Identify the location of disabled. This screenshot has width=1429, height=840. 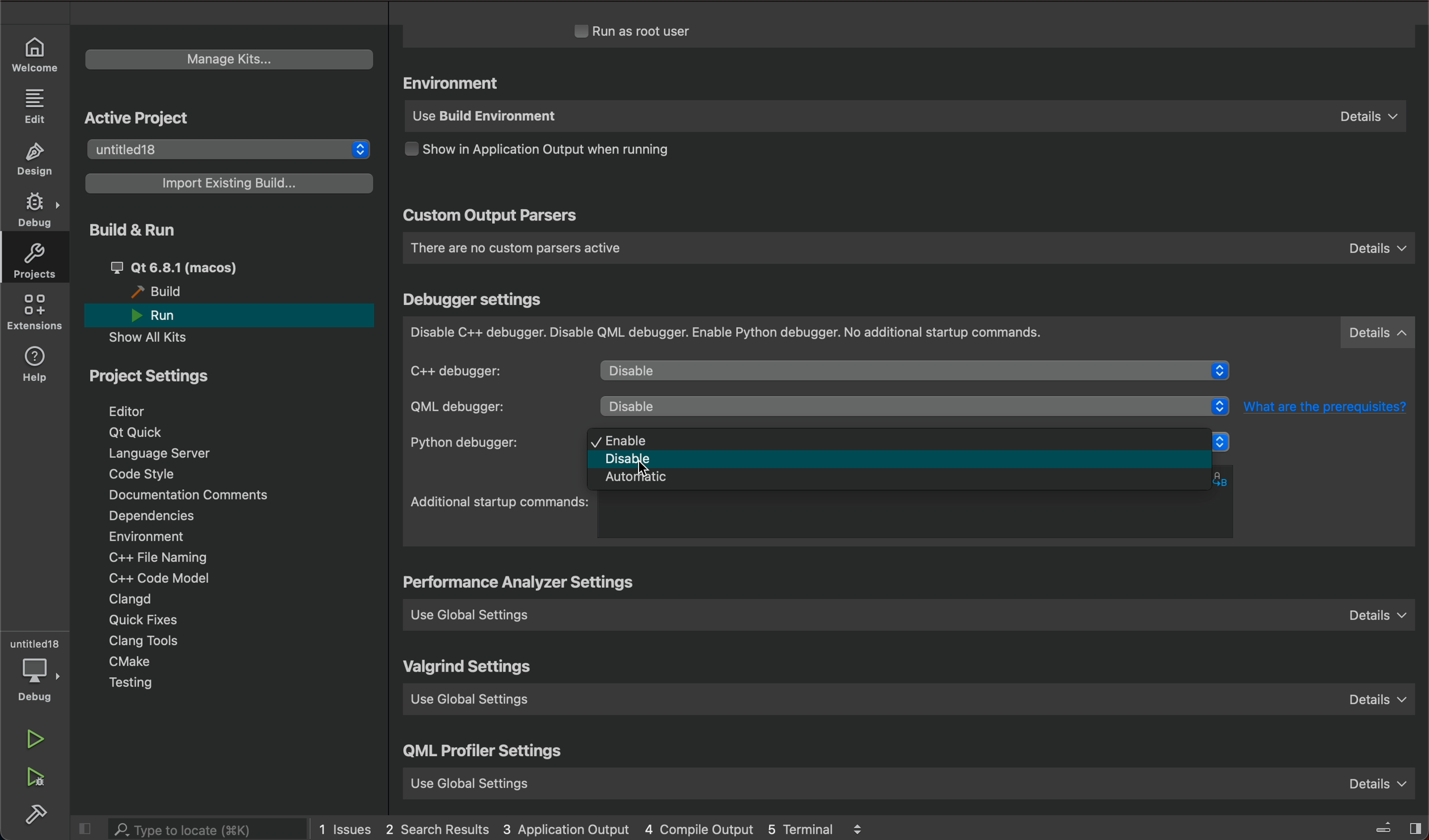
(914, 408).